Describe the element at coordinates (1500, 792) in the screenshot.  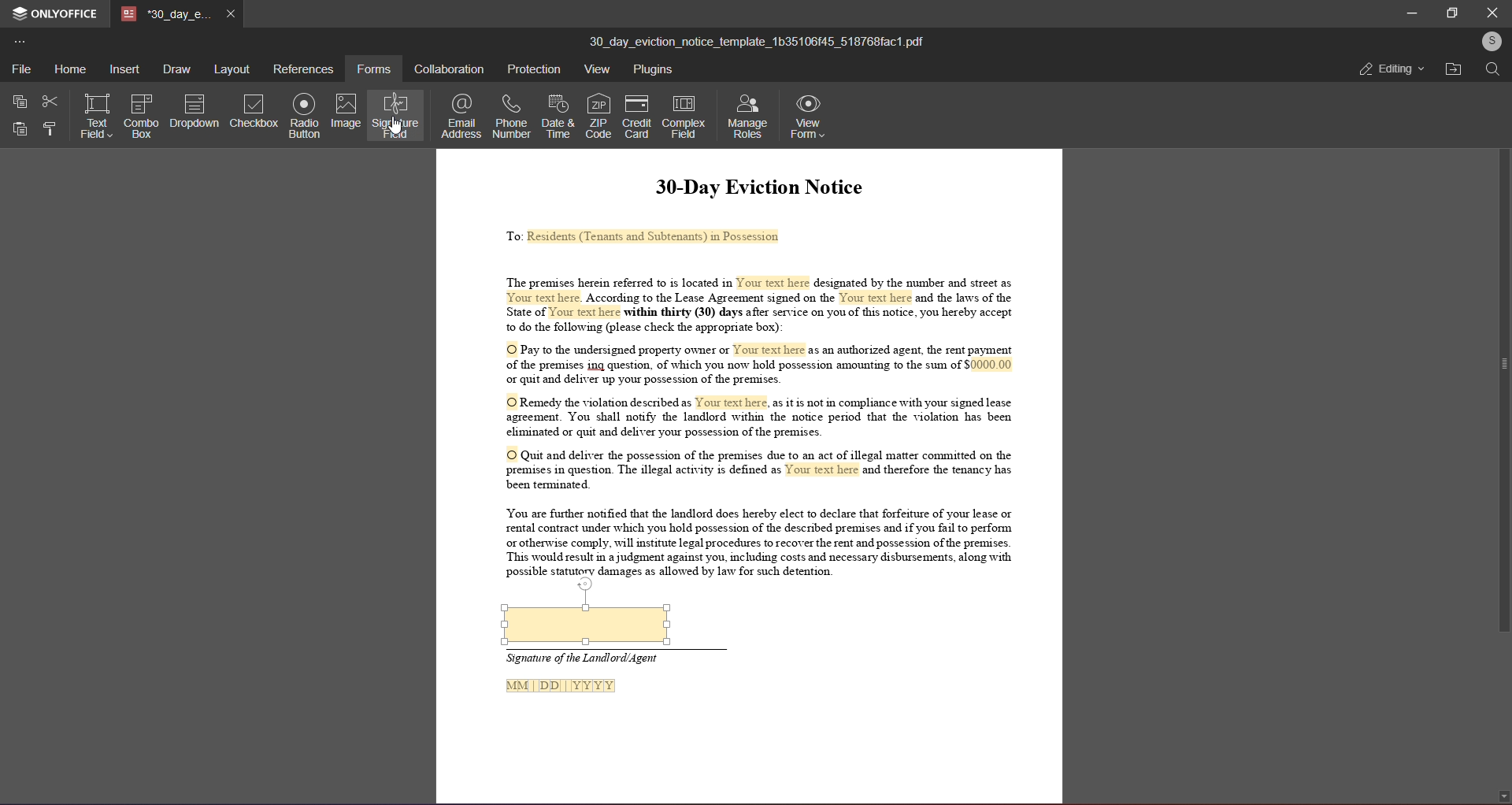
I see `down` at that location.